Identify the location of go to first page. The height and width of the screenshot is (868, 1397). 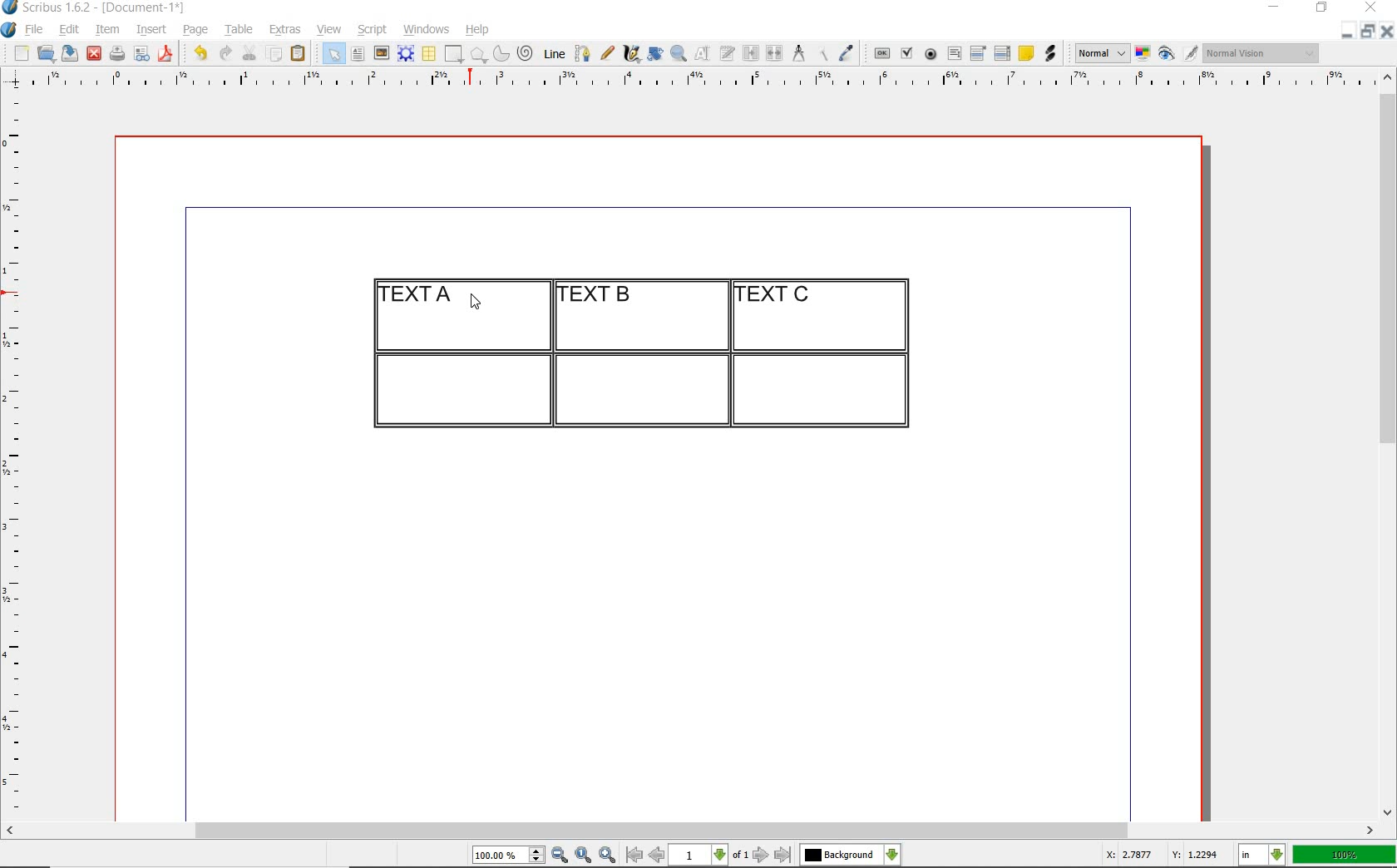
(633, 855).